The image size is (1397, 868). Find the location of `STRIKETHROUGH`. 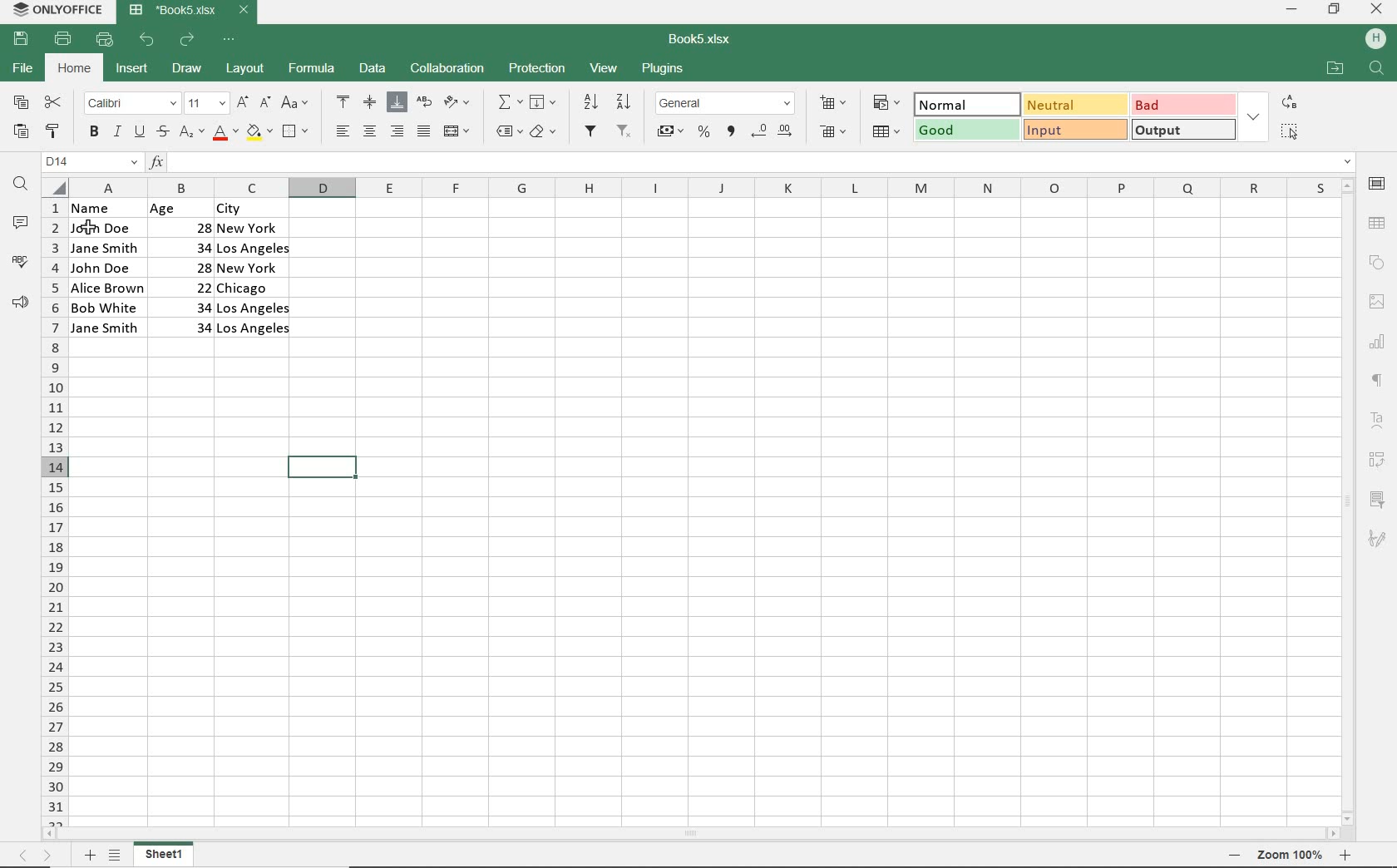

STRIKETHROUGH is located at coordinates (161, 131).